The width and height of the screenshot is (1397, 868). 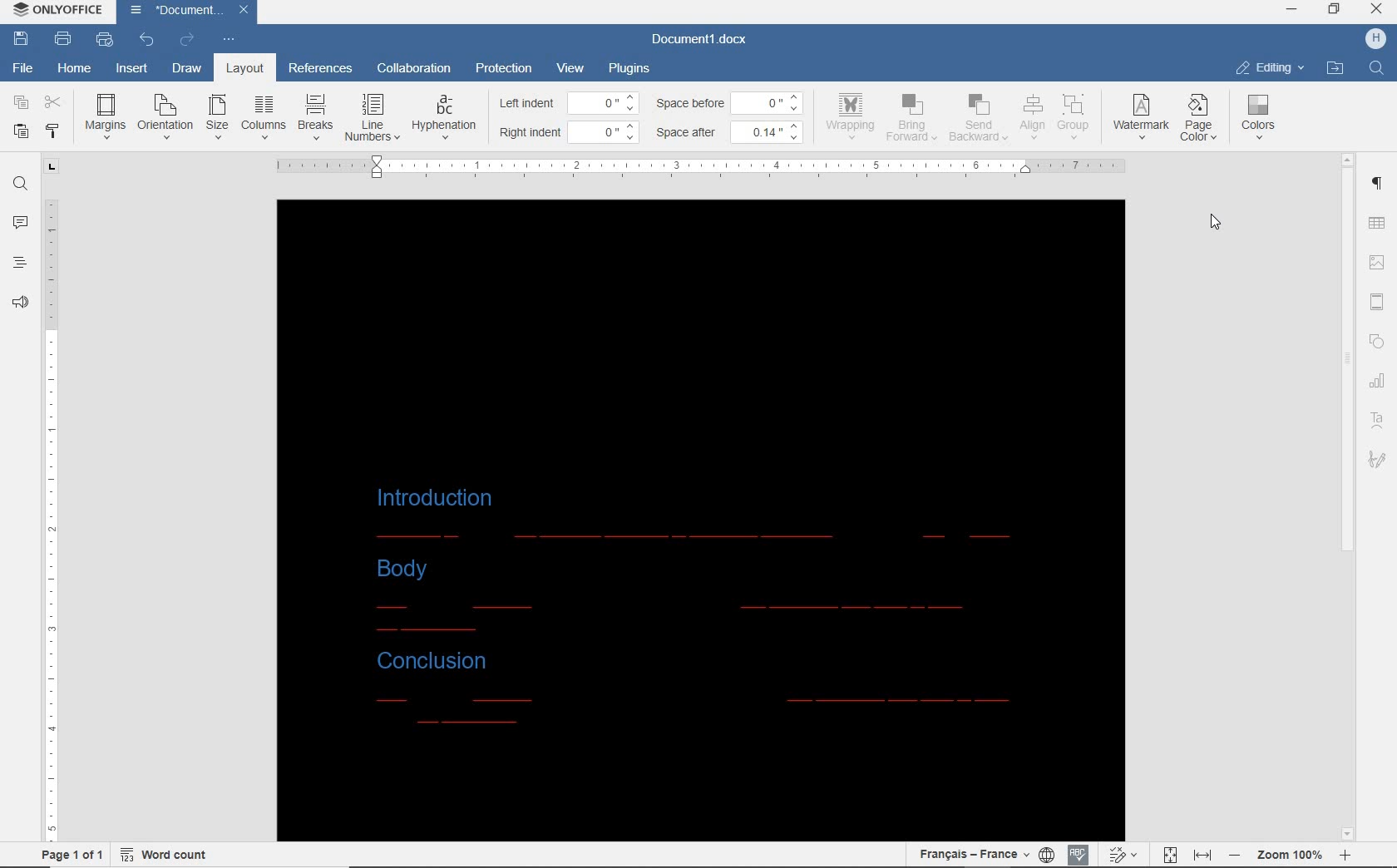 What do you see at coordinates (701, 41) in the screenshot?
I see `document name` at bounding box center [701, 41].